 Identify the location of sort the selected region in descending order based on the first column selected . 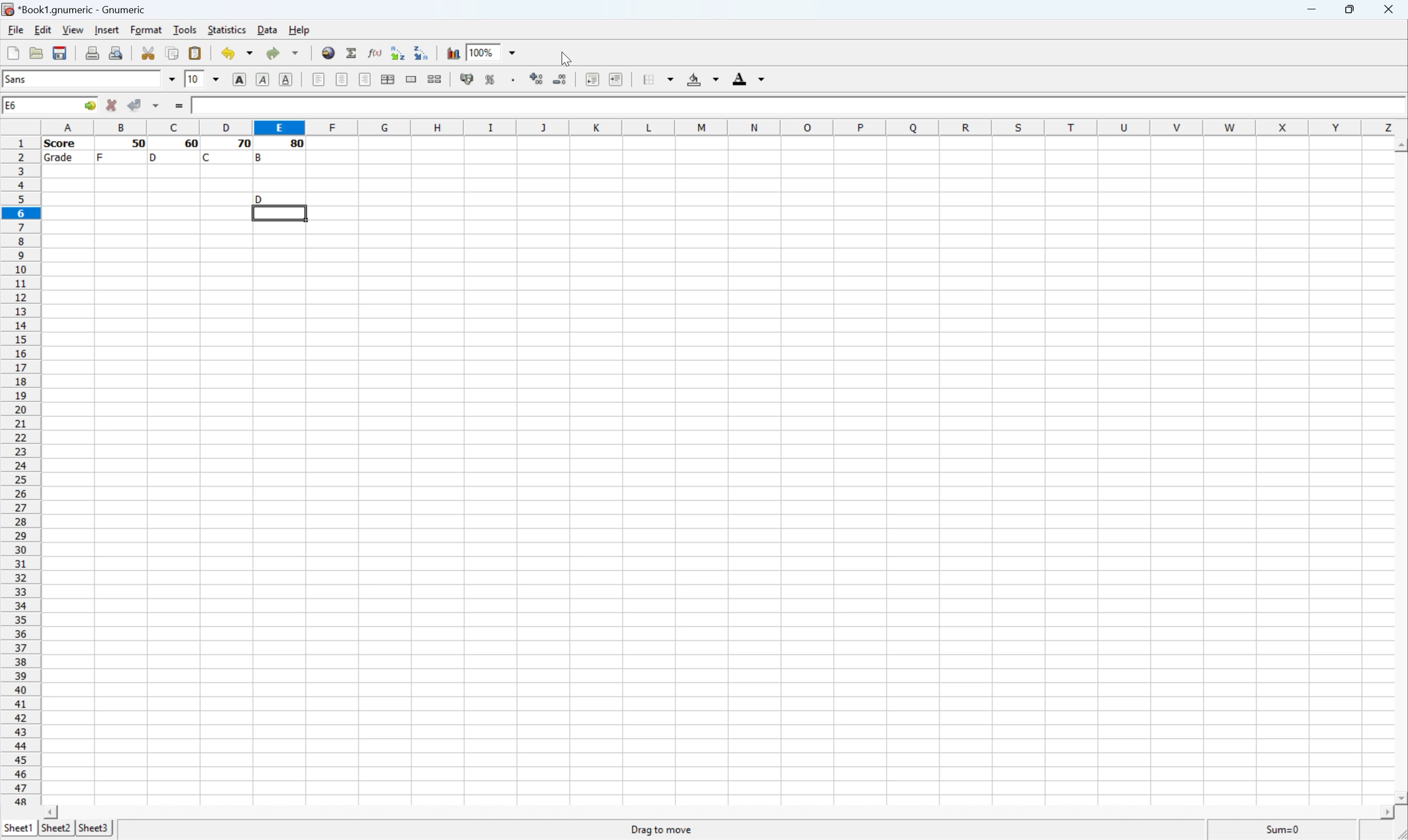
(423, 55).